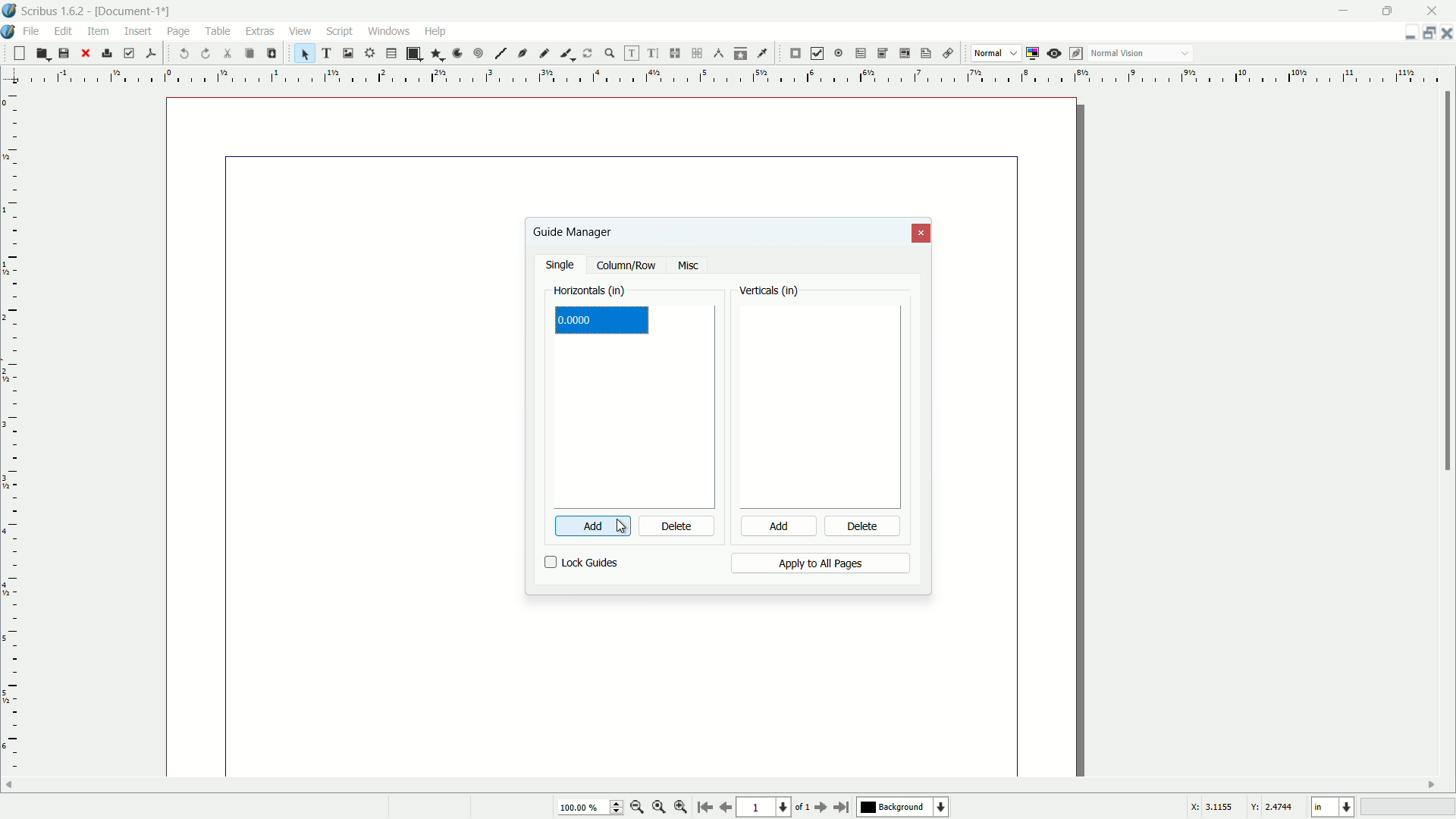 This screenshot has height=819, width=1456. Describe the element at coordinates (576, 322) in the screenshot. I see `0.0000` at that location.